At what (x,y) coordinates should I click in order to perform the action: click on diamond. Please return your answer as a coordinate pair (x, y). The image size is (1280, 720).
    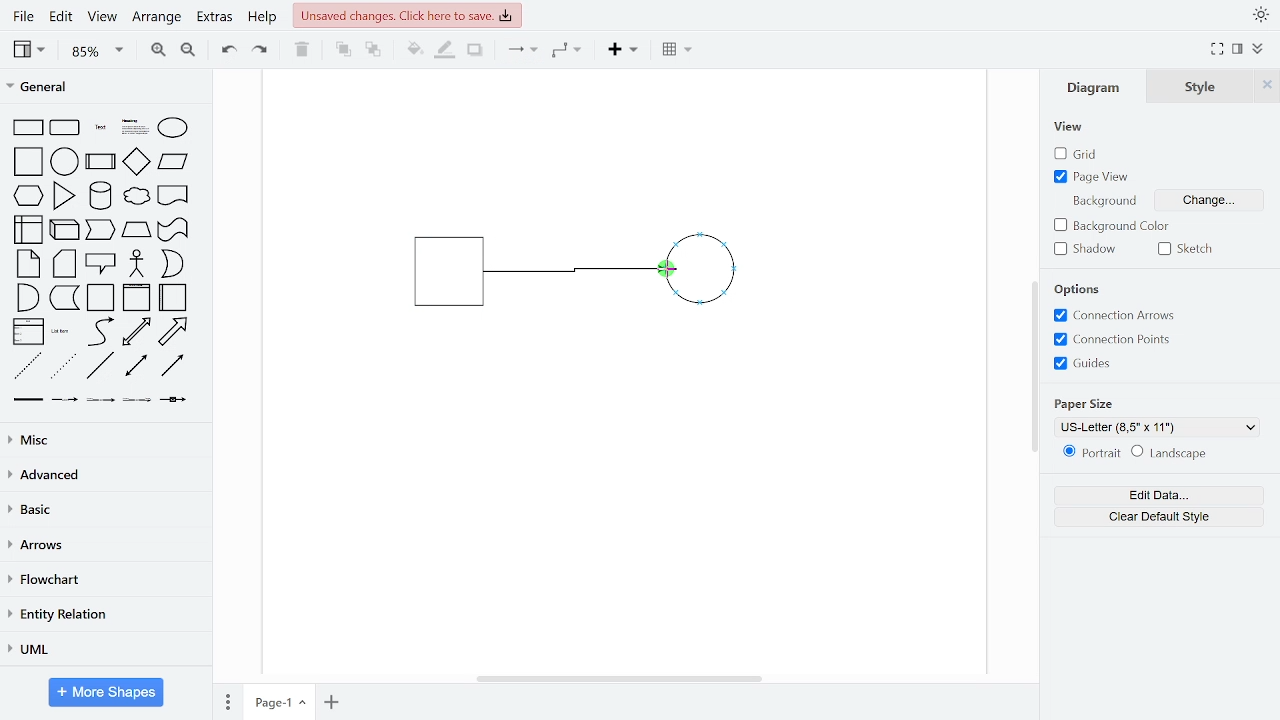
    Looking at the image, I should click on (136, 163).